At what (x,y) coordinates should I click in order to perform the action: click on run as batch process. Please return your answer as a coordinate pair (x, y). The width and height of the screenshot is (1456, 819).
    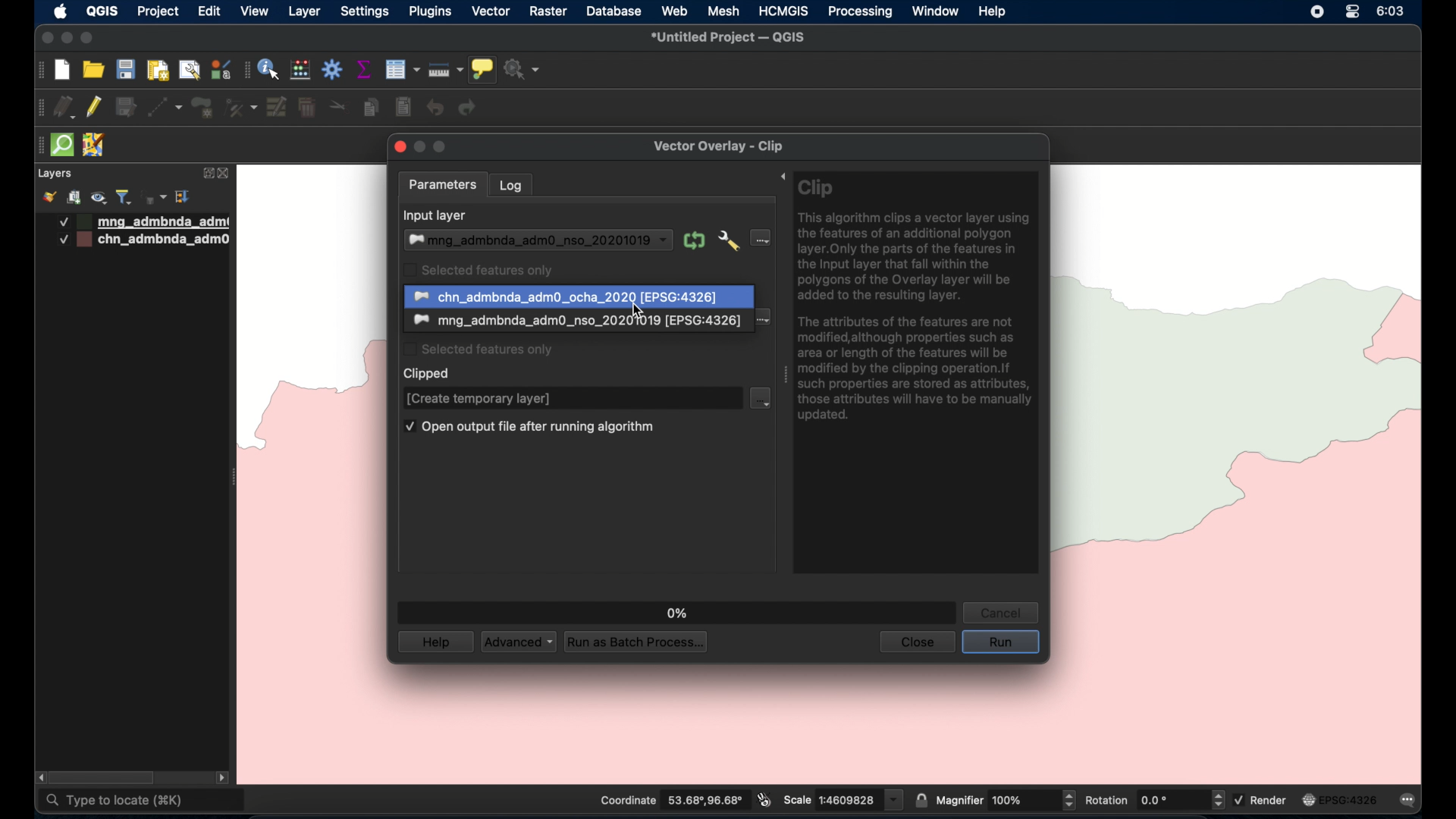
    Looking at the image, I should click on (633, 641).